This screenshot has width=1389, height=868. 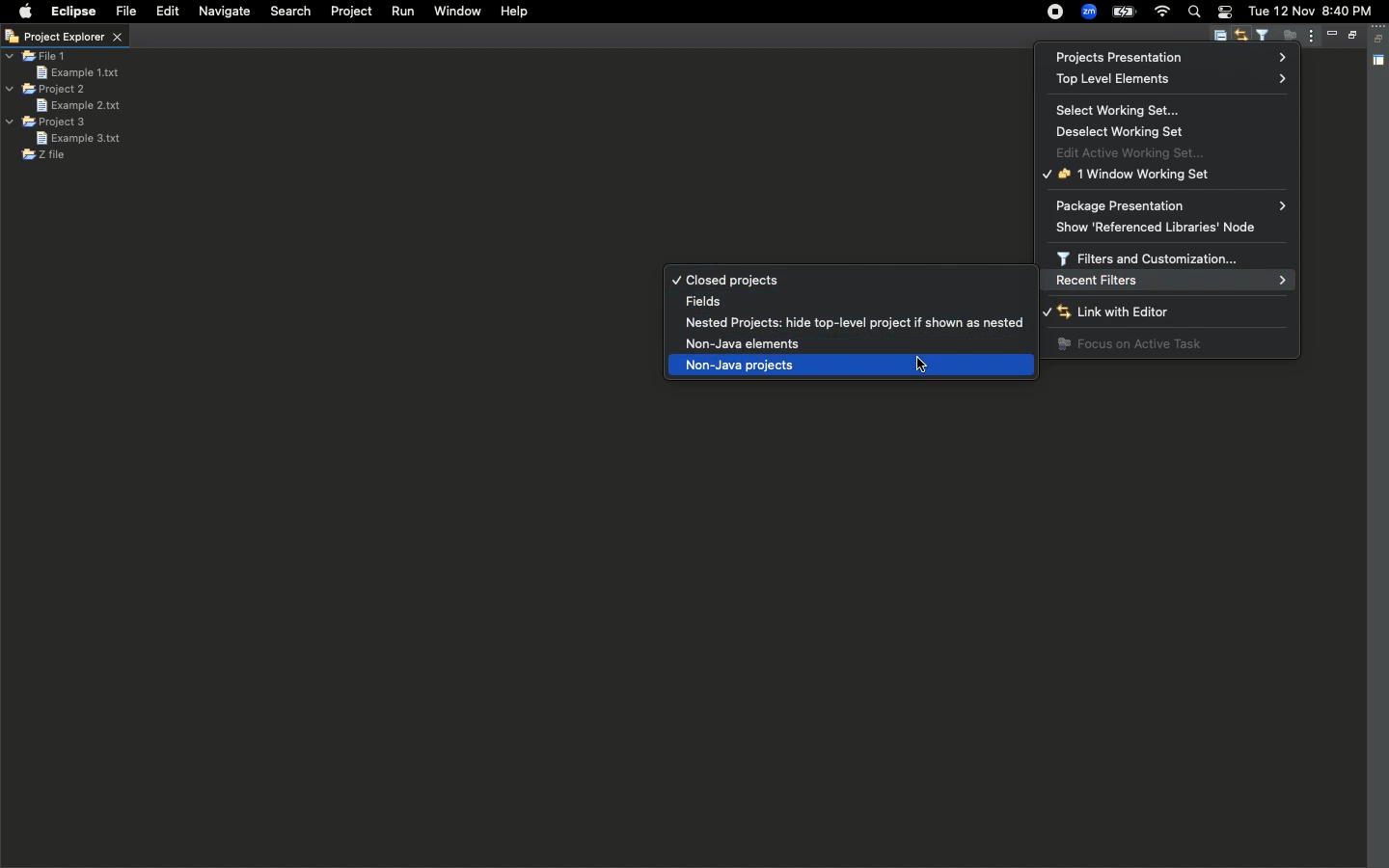 What do you see at coordinates (288, 14) in the screenshot?
I see `Search` at bounding box center [288, 14].